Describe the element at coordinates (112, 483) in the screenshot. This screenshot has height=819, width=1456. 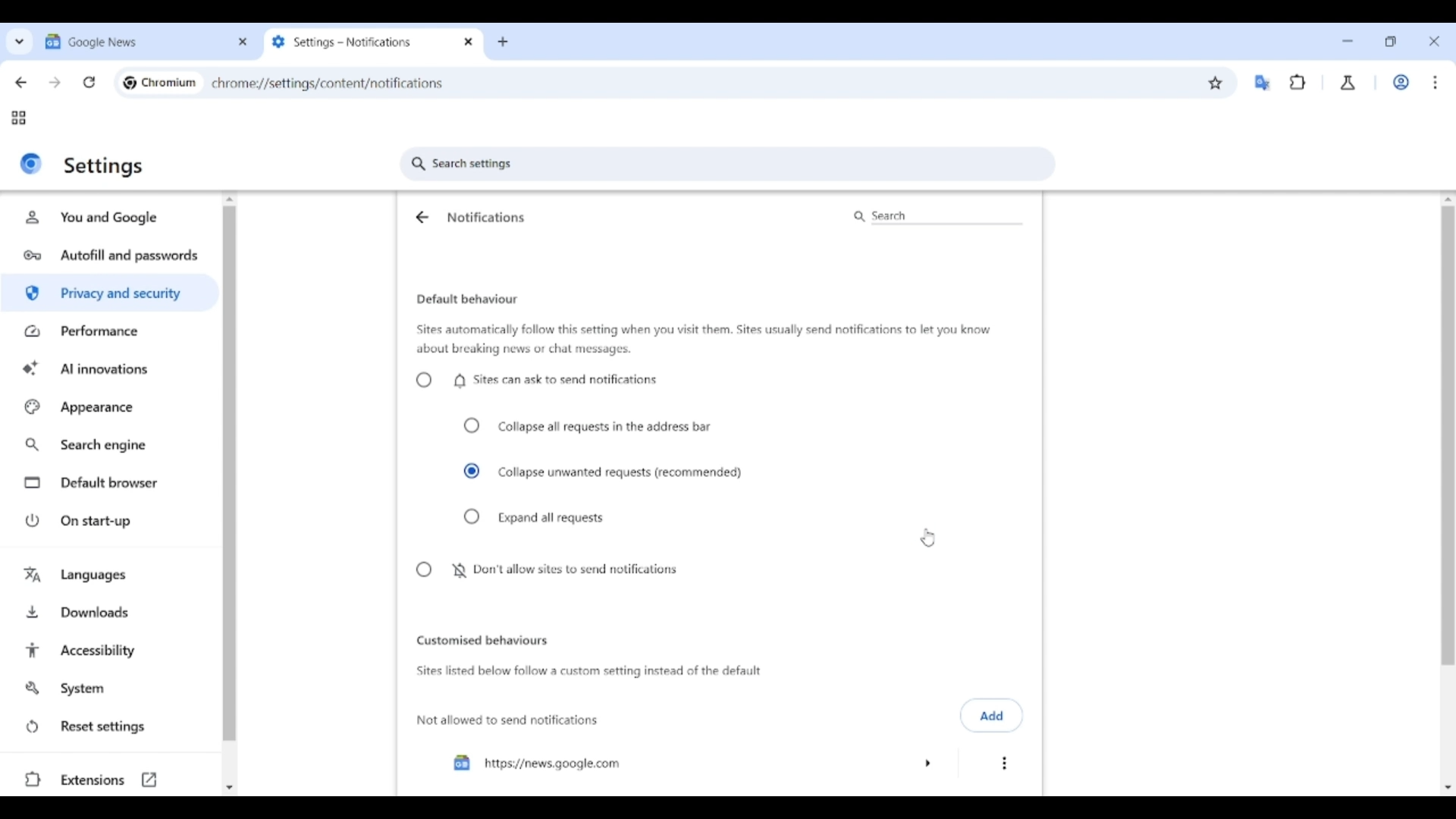
I see `Default browser` at that location.